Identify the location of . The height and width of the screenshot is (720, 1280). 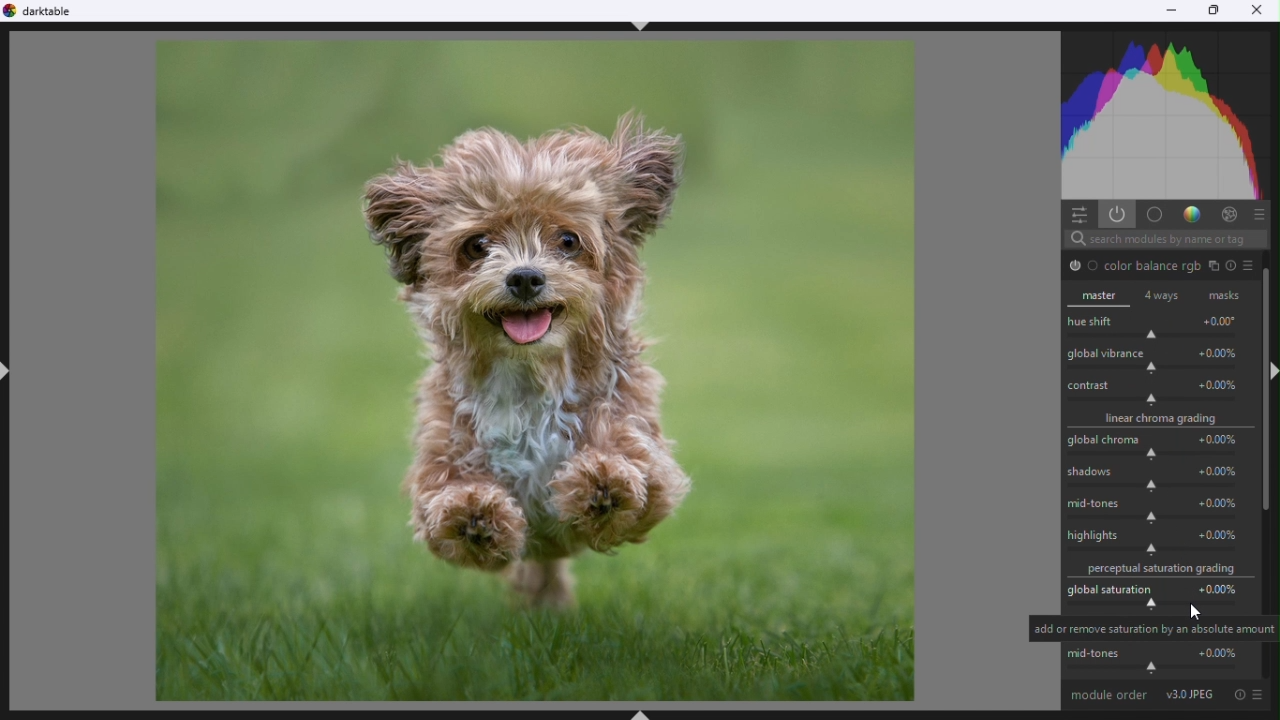
(1237, 698).